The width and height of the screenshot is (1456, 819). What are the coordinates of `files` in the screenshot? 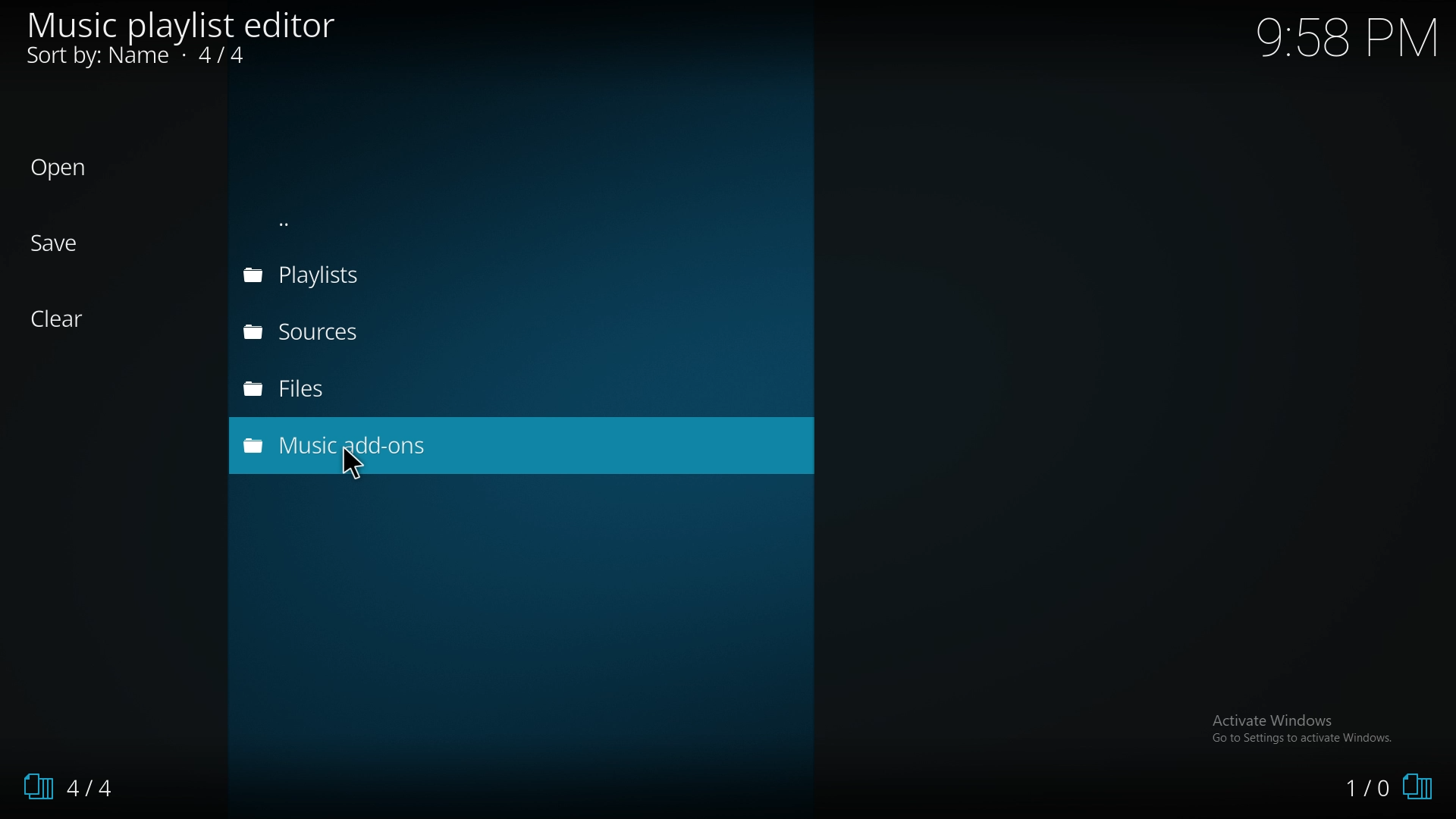 It's located at (388, 387).